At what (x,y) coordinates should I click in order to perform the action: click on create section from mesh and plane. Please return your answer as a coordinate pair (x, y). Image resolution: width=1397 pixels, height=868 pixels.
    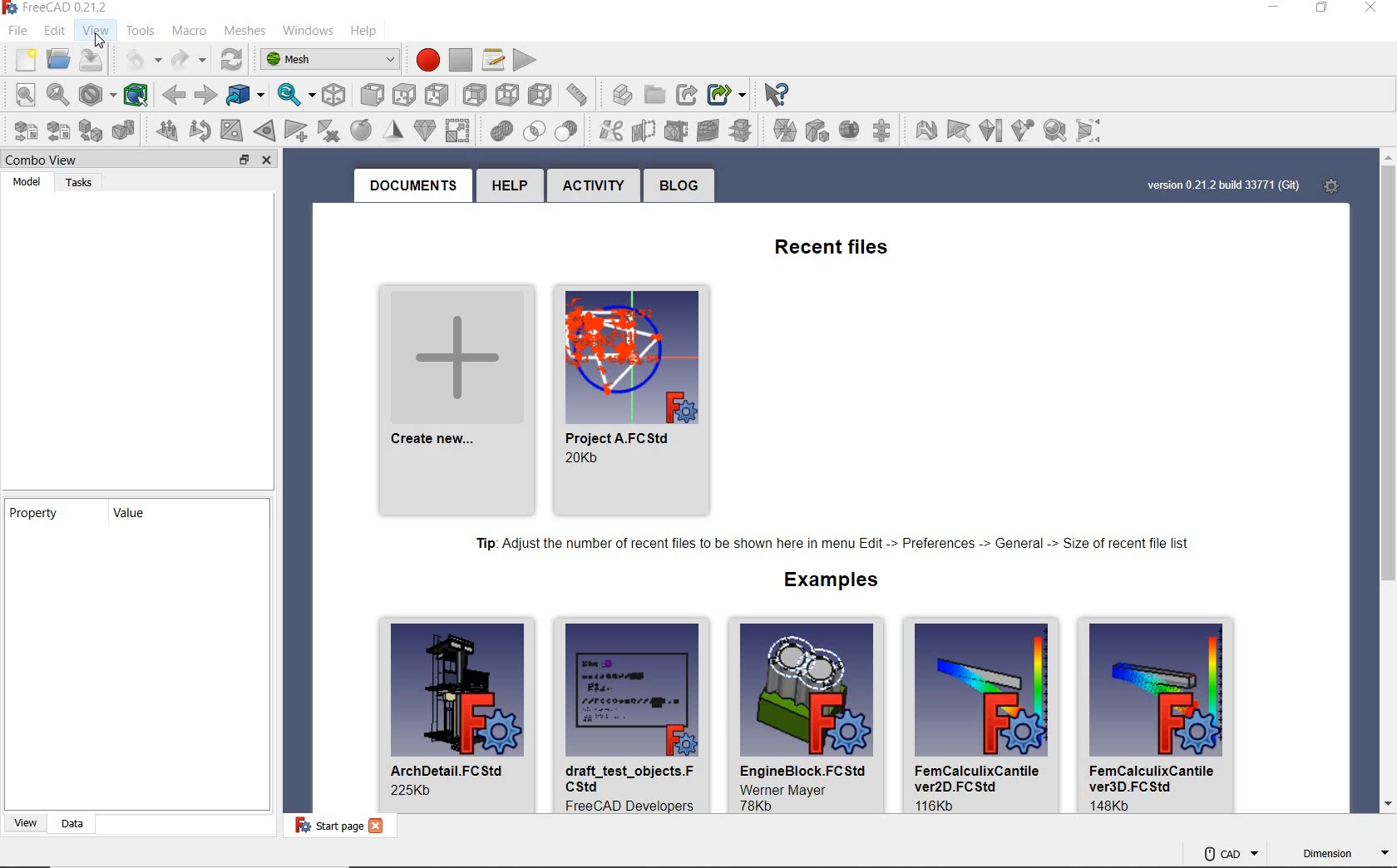
    Looking at the image, I should click on (679, 129).